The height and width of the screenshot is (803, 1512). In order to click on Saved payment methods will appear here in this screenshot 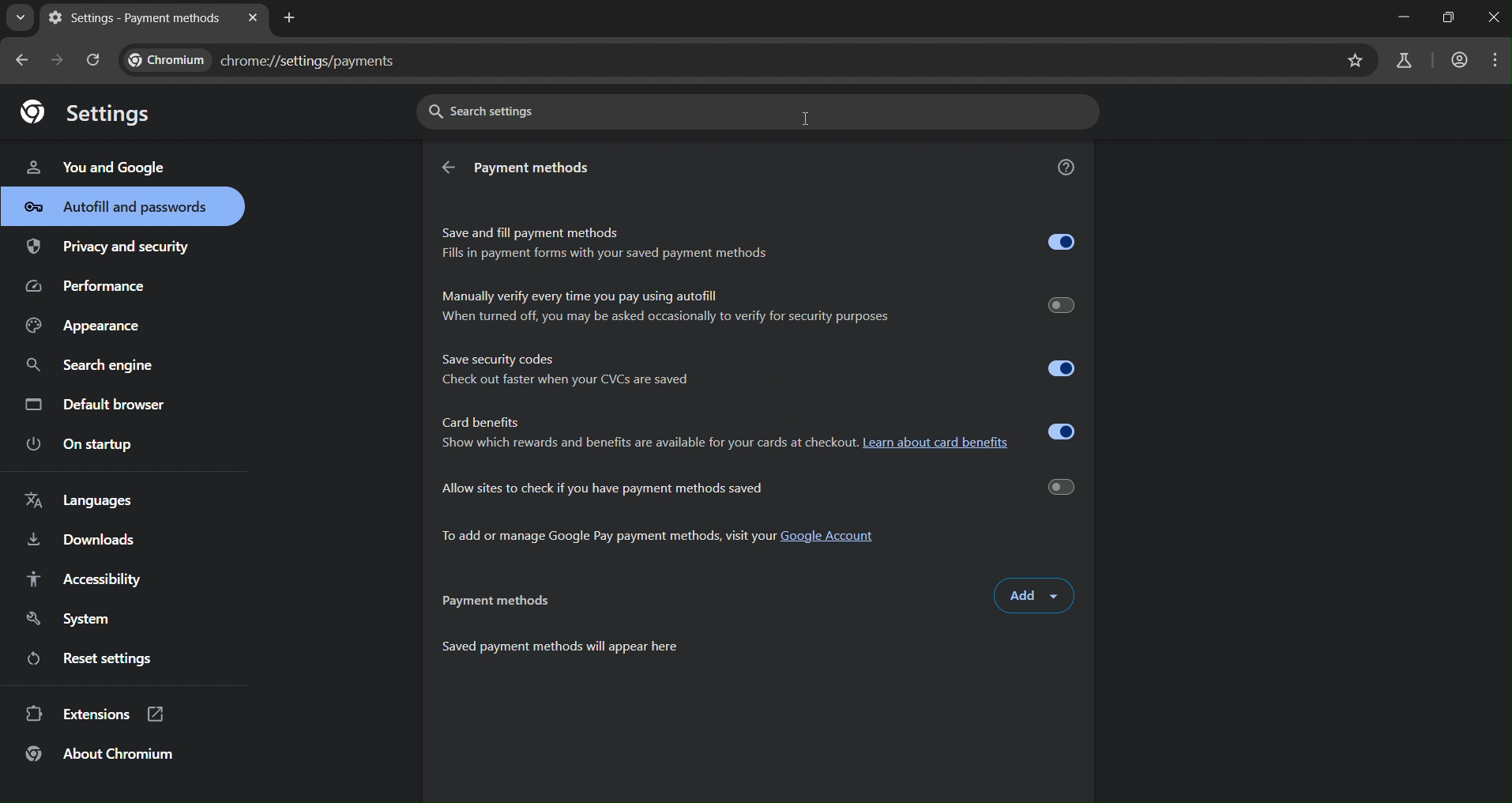, I will do `click(569, 647)`.